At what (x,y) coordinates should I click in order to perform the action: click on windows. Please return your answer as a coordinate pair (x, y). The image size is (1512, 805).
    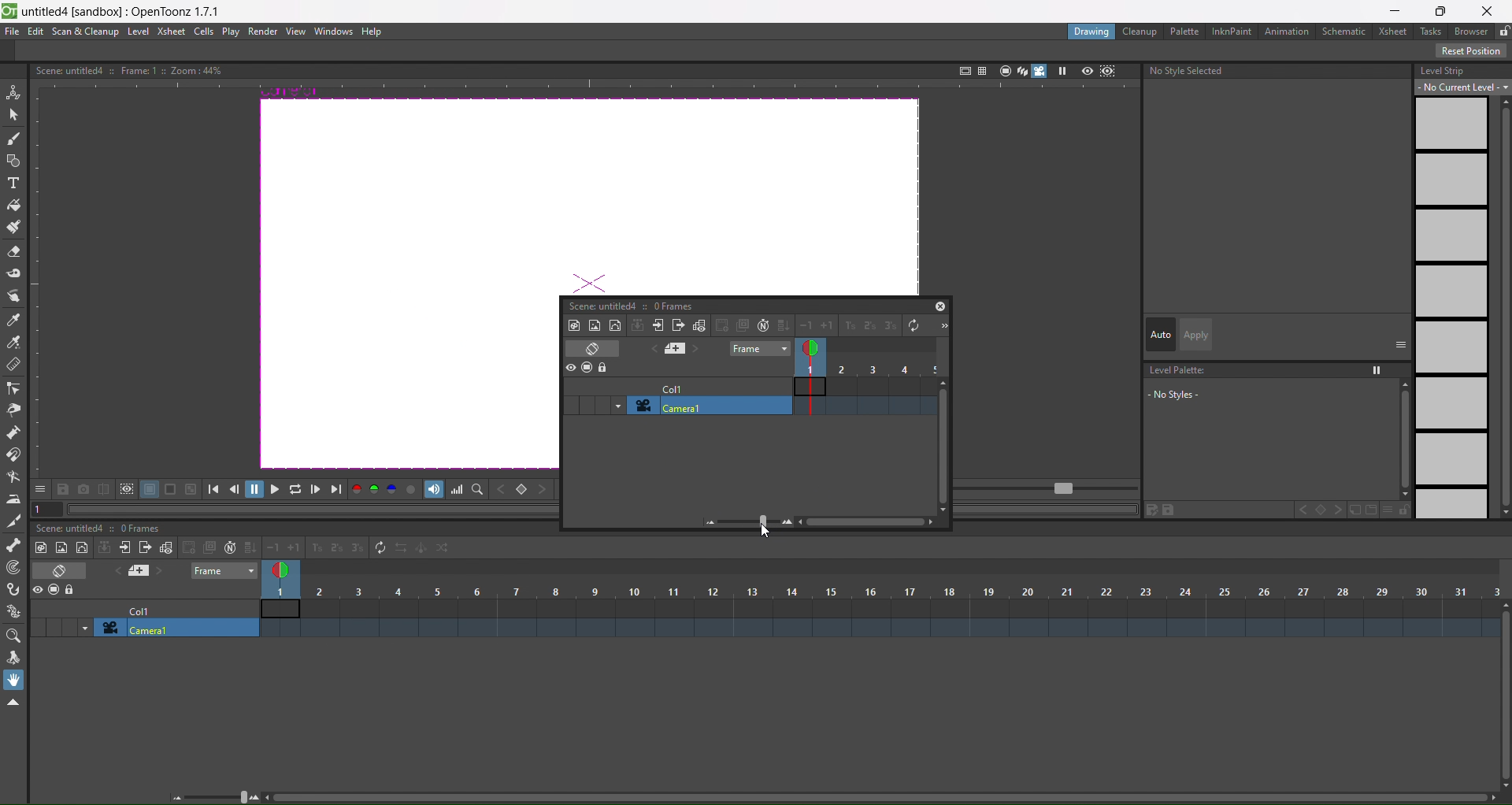
    Looking at the image, I should click on (330, 32).